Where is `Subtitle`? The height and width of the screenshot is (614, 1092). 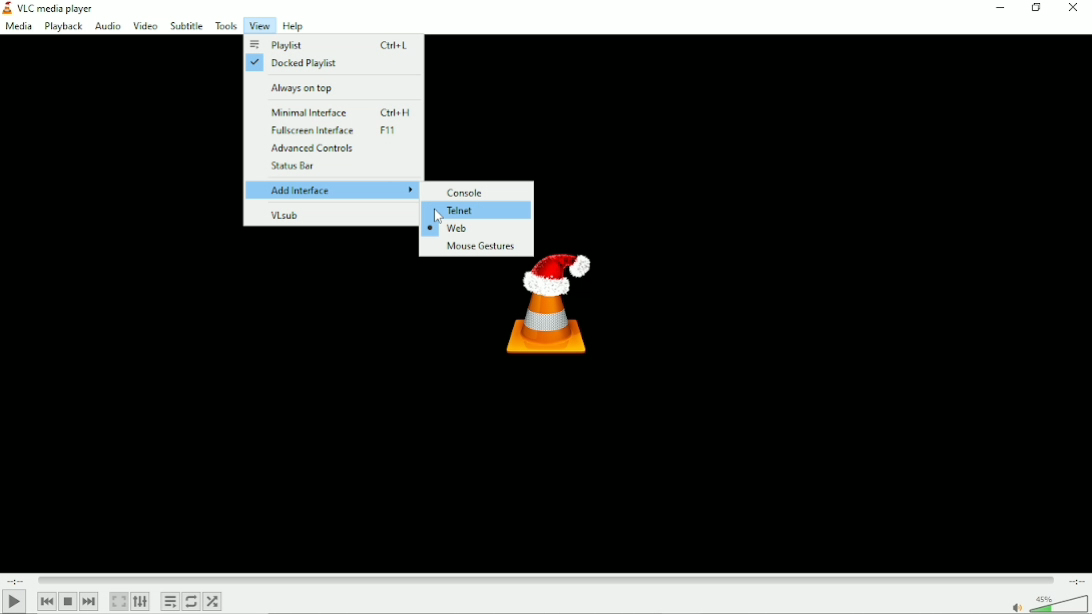
Subtitle is located at coordinates (187, 25).